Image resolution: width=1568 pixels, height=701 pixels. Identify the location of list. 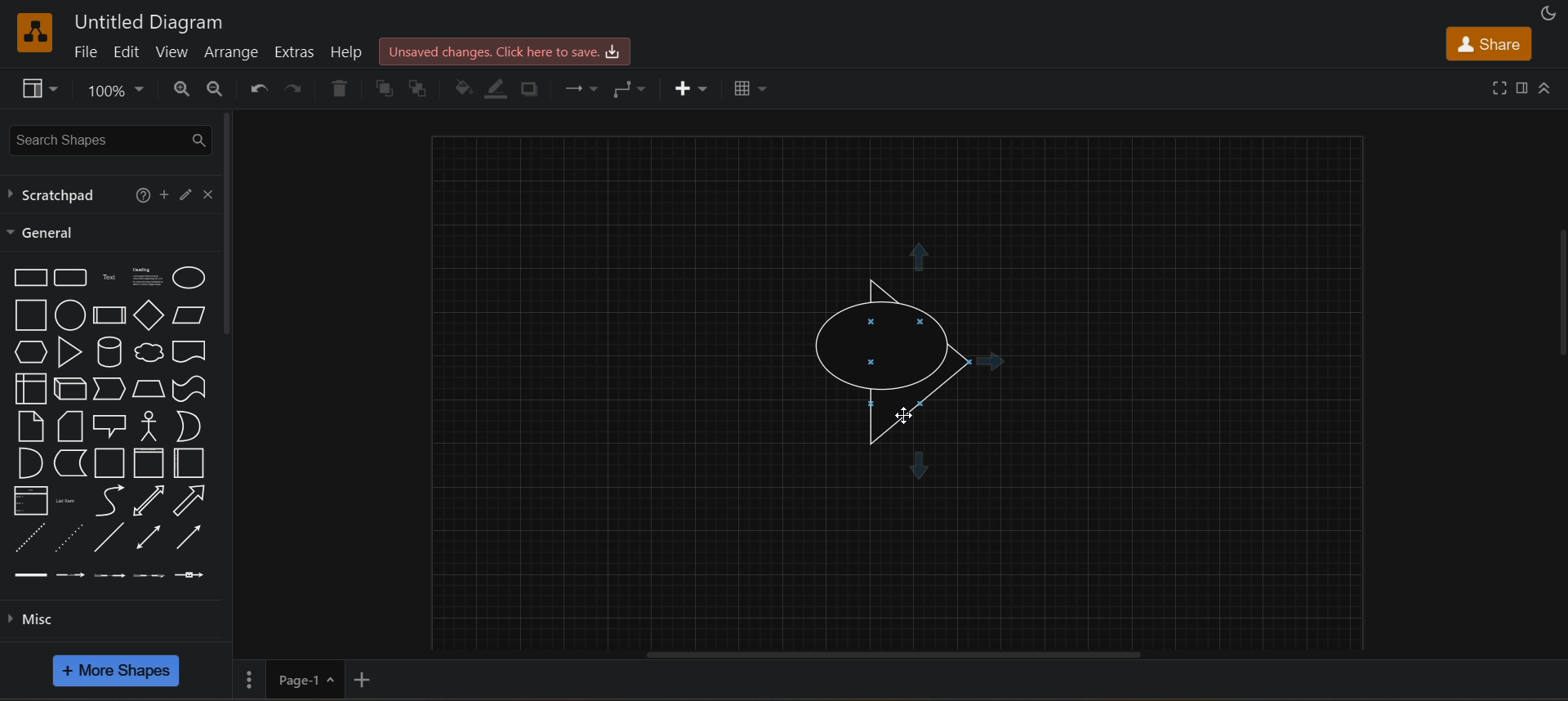
(31, 499).